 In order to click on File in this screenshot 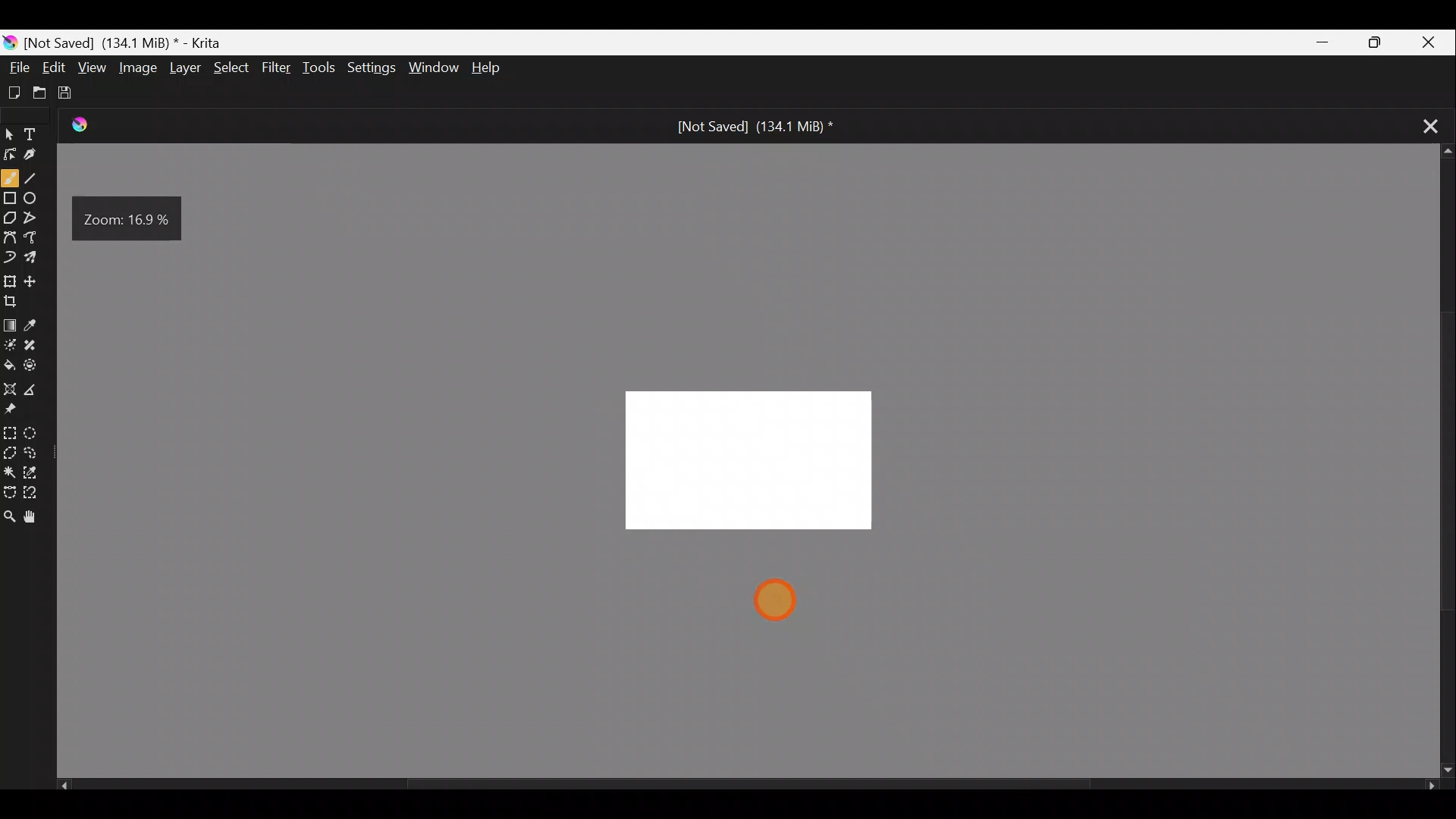, I will do `click(18, 65)`.